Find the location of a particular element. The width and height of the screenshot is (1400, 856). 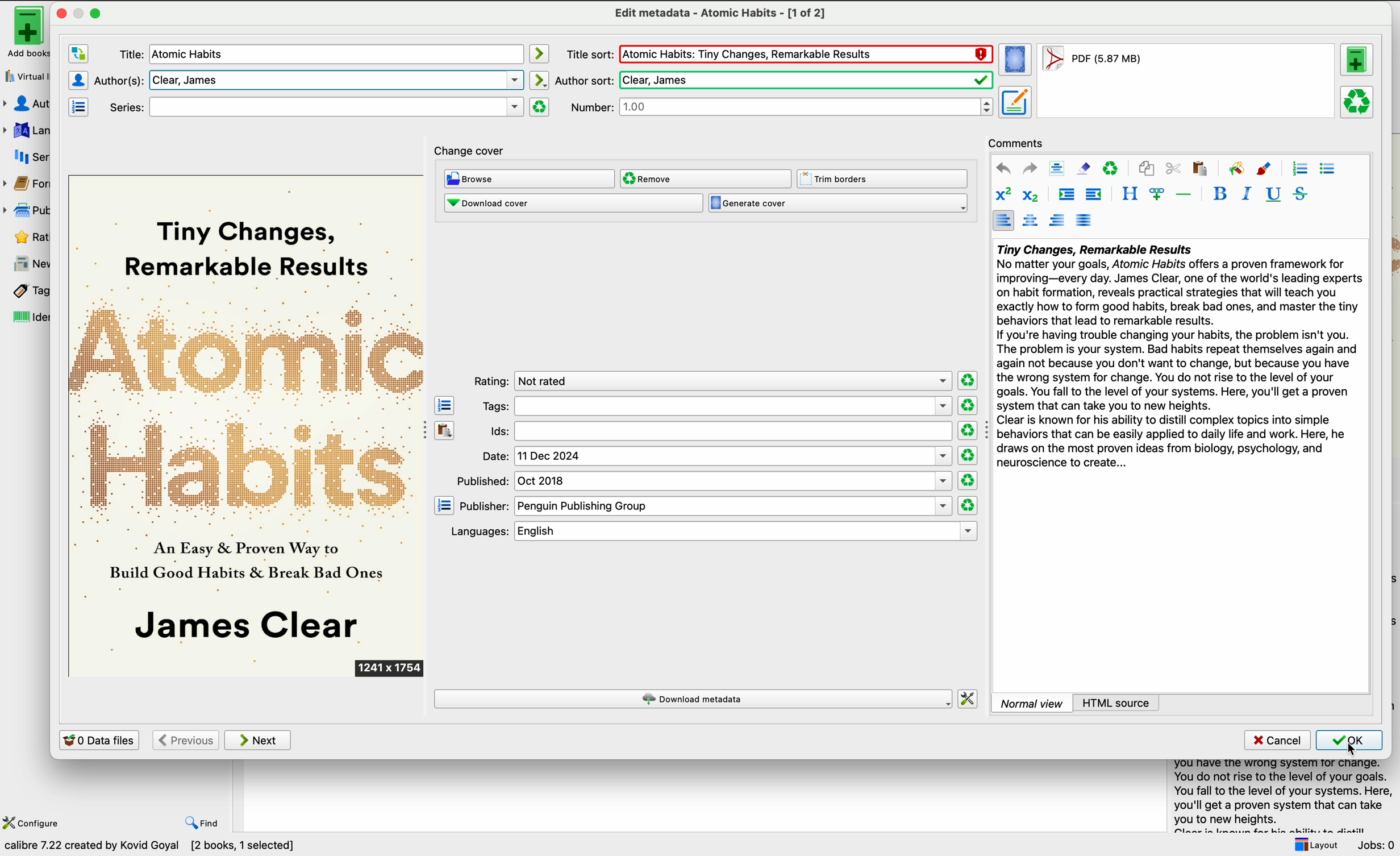

clear is located at coordinates (1111, 168).